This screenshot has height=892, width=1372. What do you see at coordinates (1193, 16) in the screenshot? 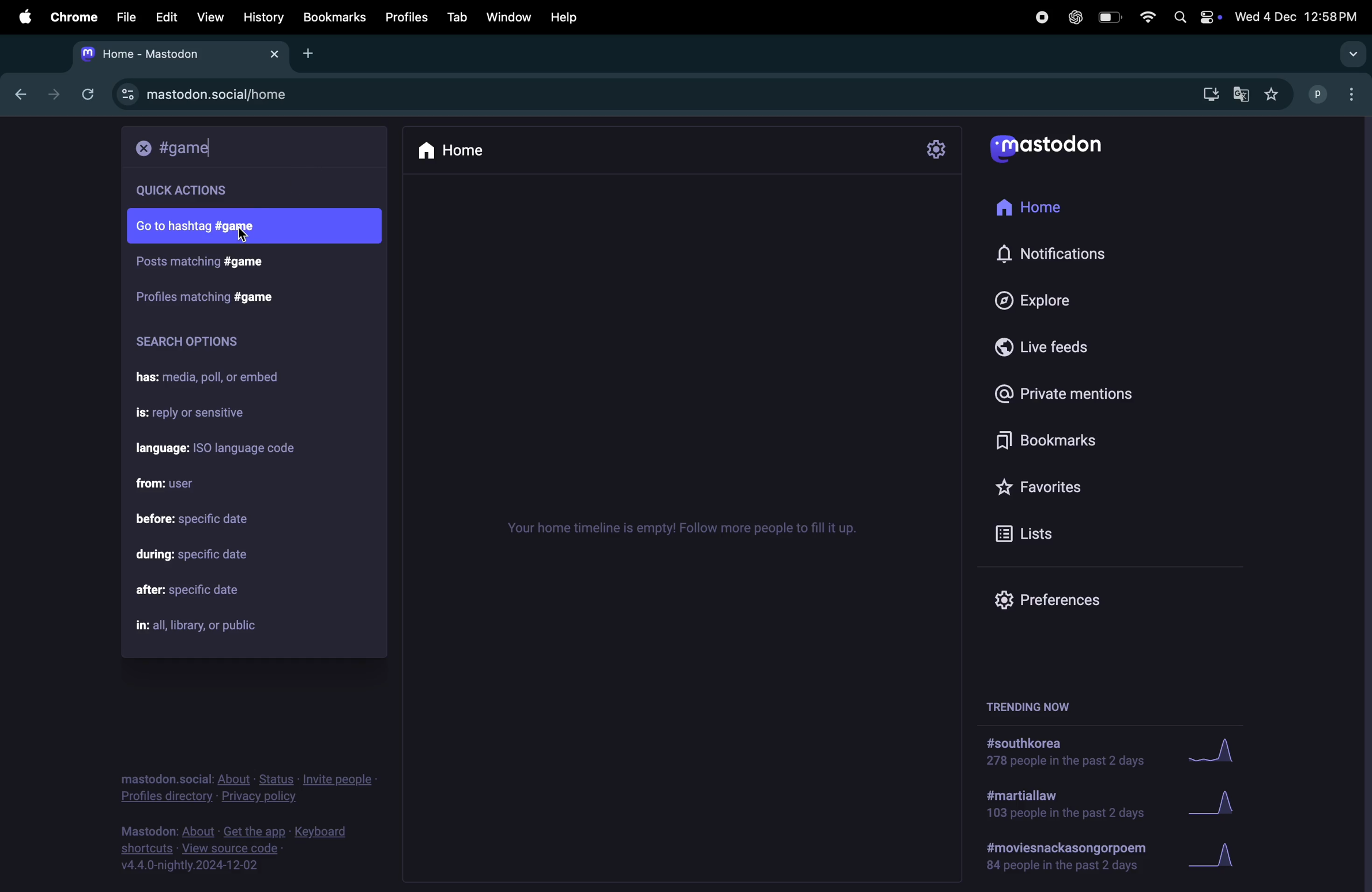
I see `apple widgets` at bounding box center [1193, 16].